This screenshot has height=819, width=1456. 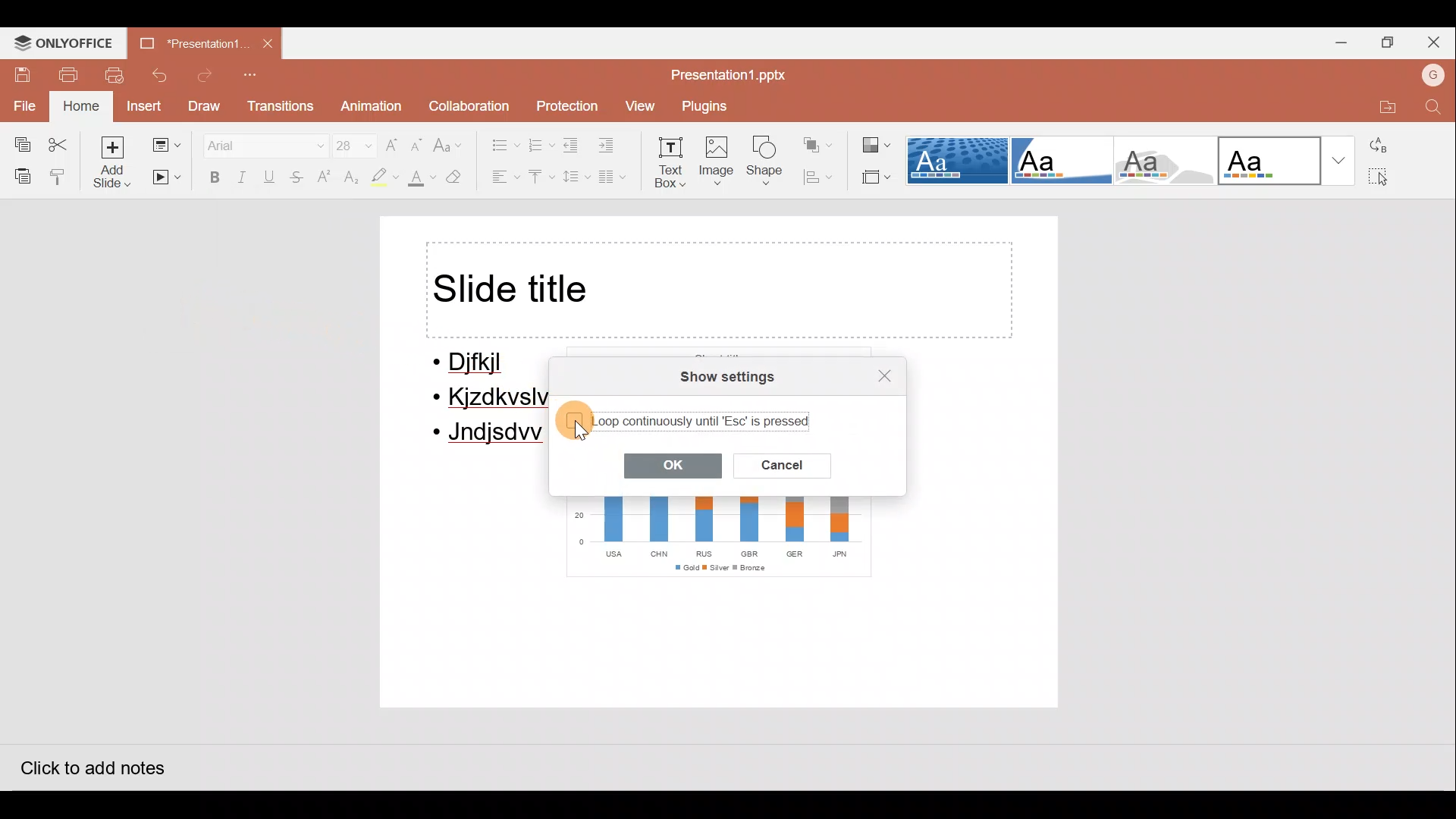 I want to click on Horizontal align, so click(x=505, y=179).